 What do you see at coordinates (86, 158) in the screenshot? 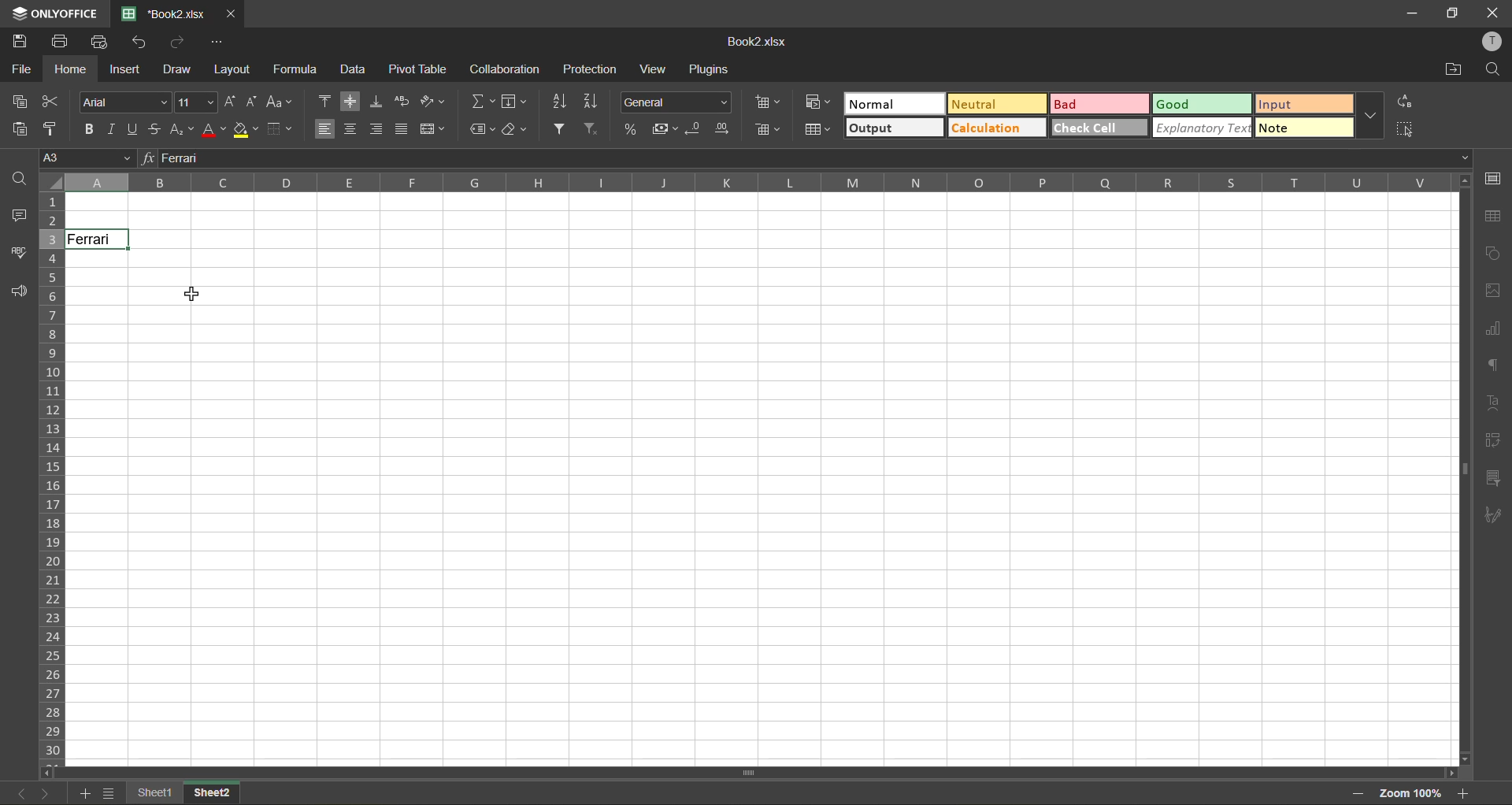
I see `cell address` at bounding box center [86, 158].